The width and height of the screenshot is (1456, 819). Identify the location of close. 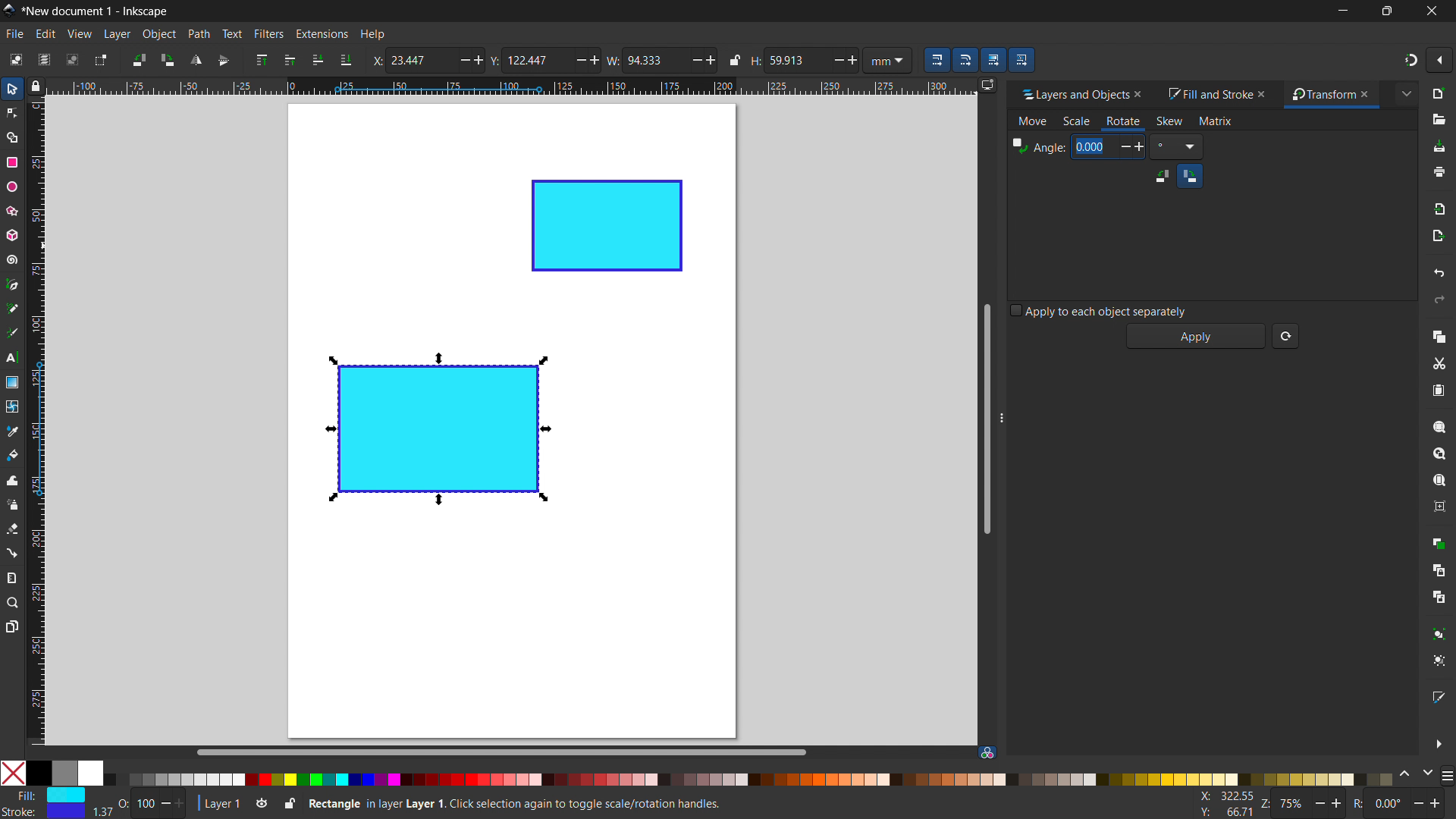
(1144, 94).